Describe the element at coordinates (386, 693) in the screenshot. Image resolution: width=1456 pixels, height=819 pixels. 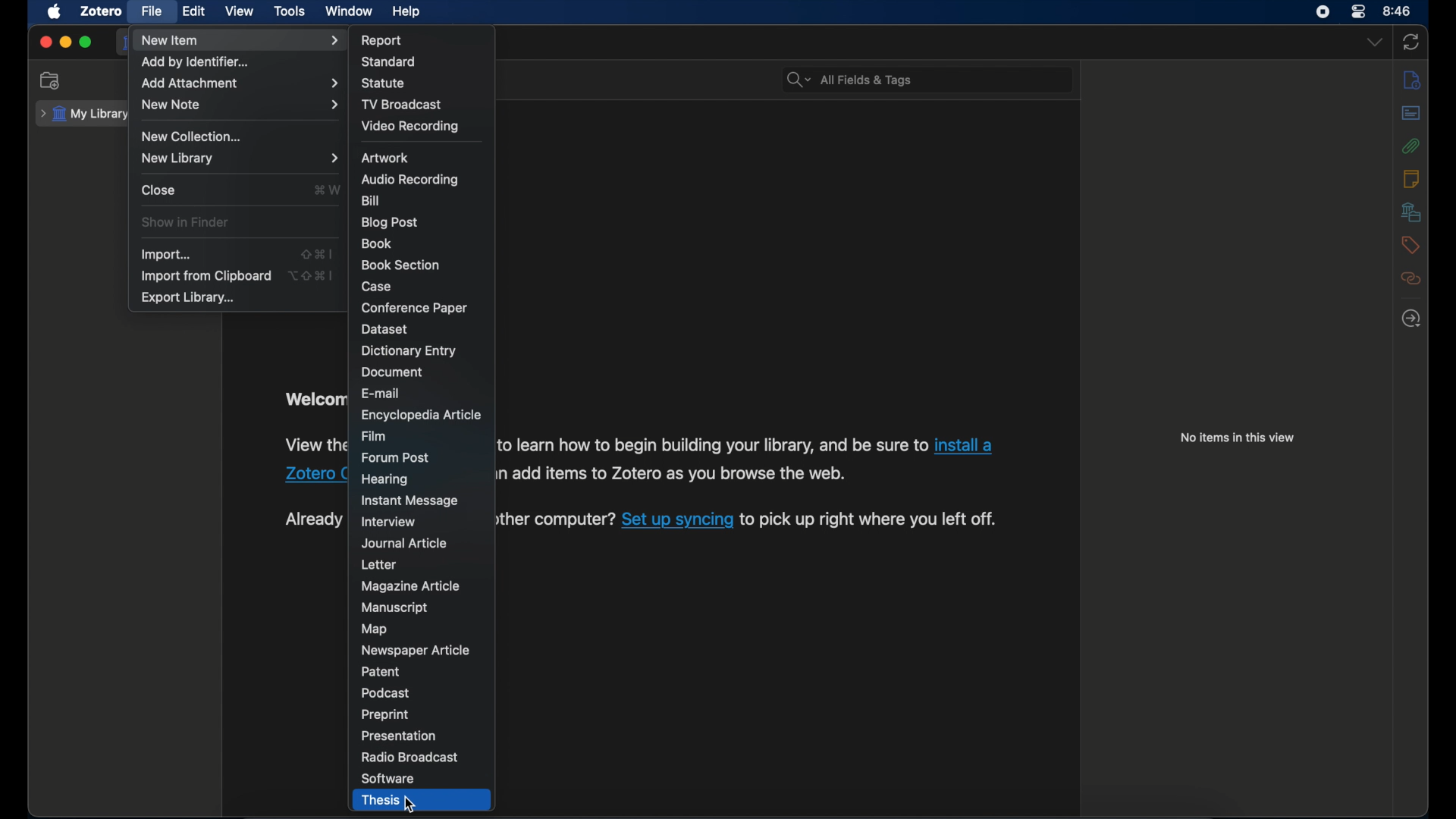
I see `podcast` at that location.